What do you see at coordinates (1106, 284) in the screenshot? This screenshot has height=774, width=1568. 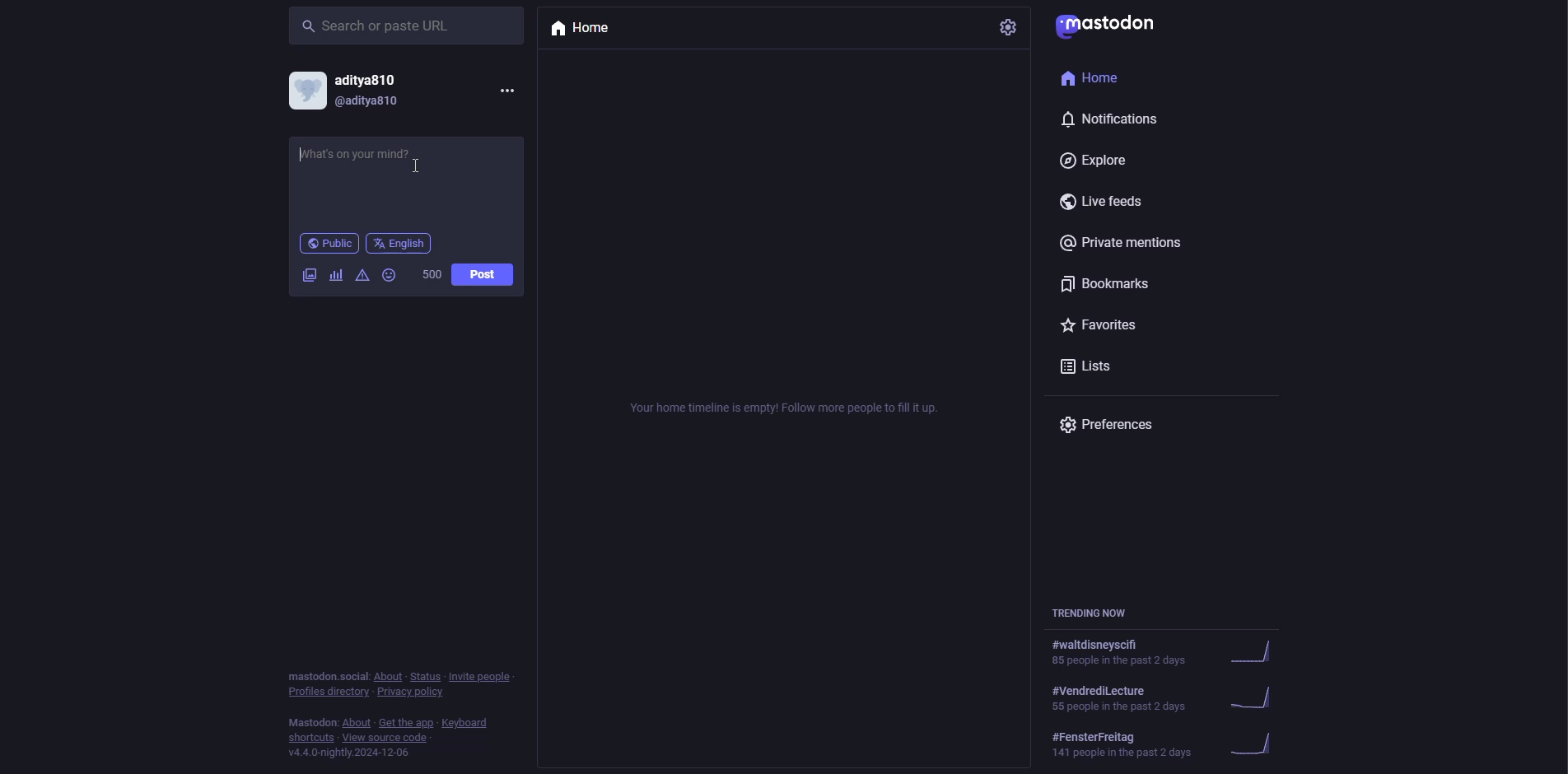 I see `bookmarks` at bounding box center [1106, 284].